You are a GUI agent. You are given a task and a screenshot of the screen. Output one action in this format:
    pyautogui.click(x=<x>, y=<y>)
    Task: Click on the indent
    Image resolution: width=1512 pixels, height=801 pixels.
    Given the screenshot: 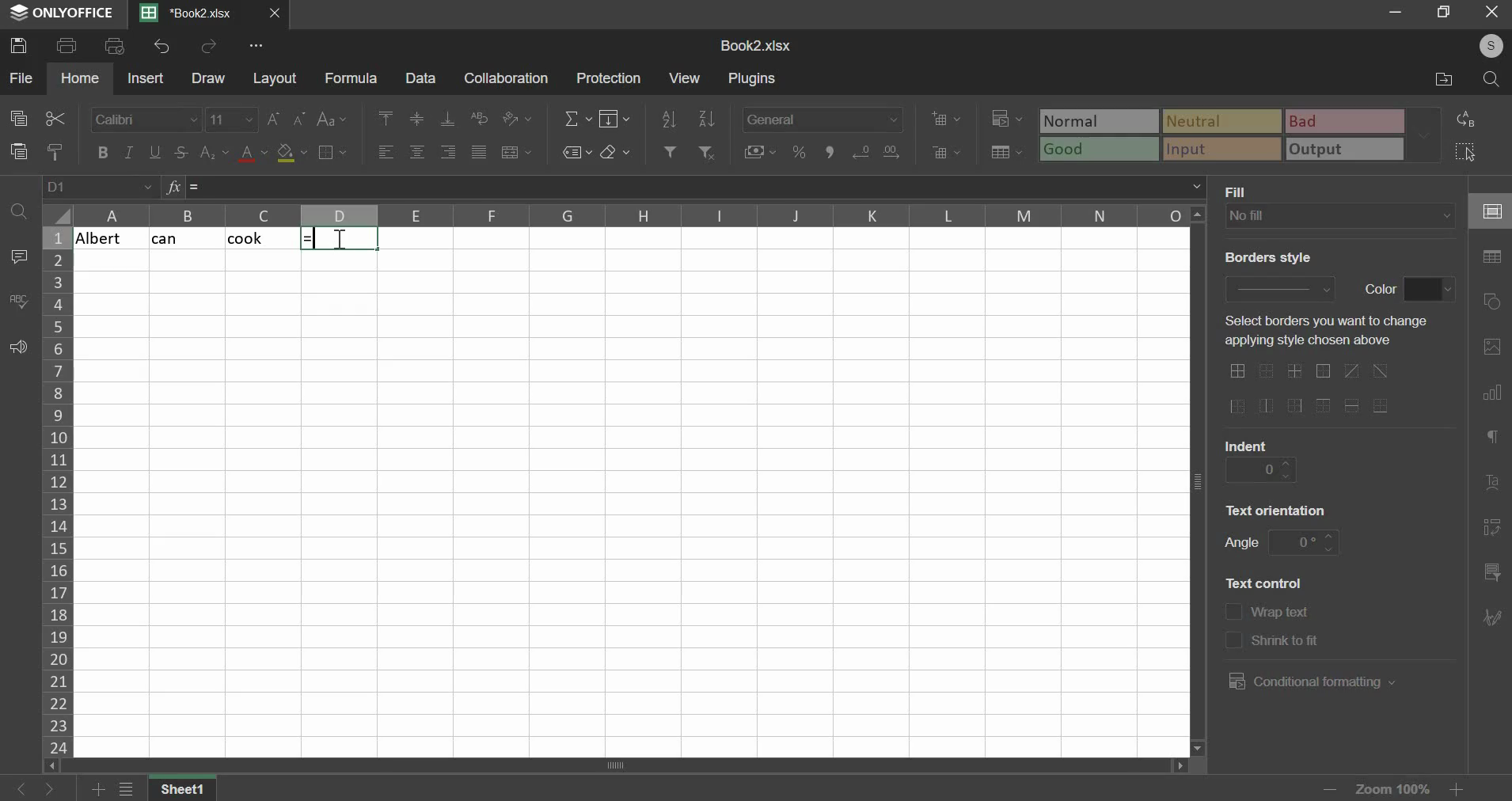 What is the action you would take?
    pyautogui.click(x=1261, y=469)
    